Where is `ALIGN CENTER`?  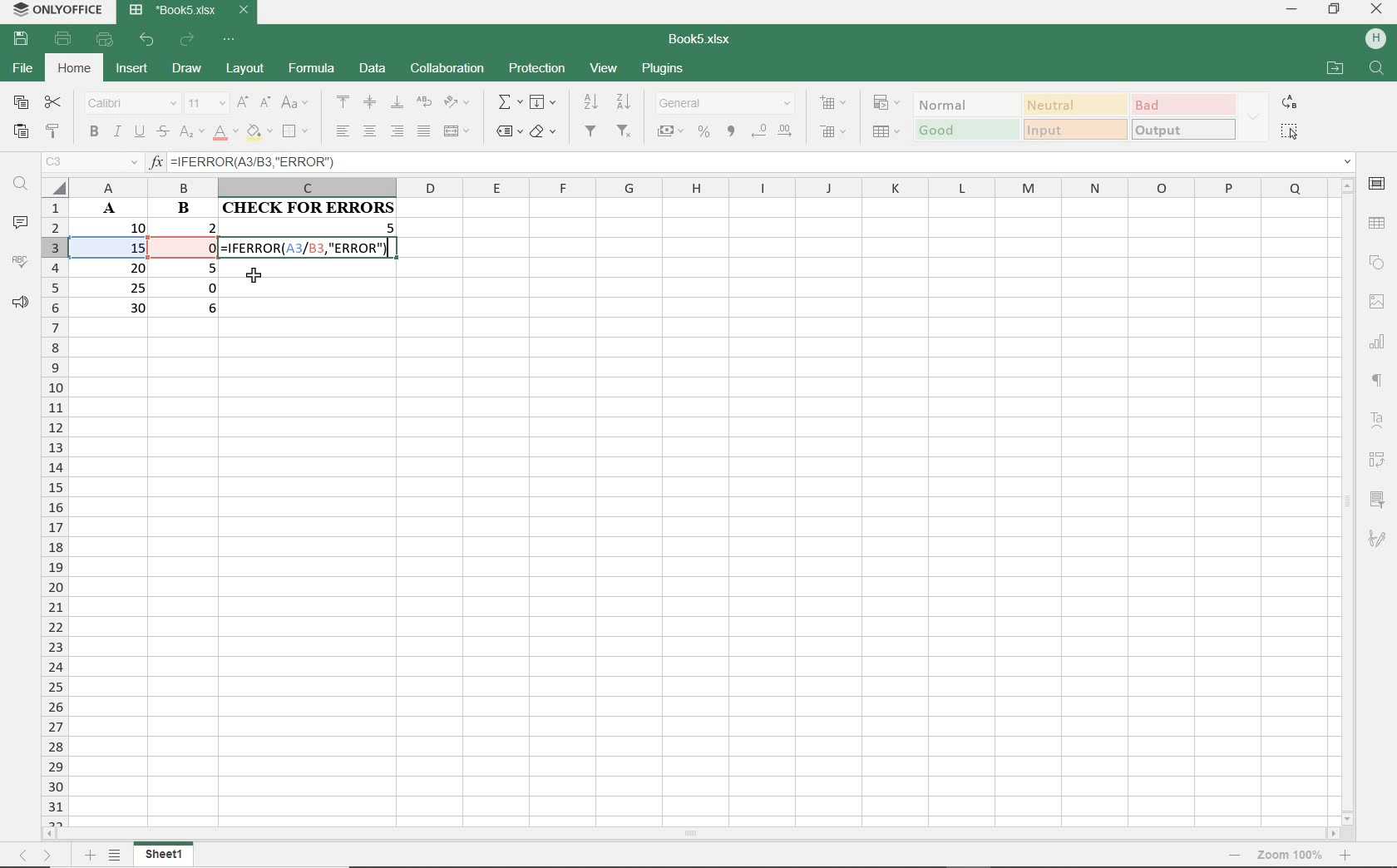
ALIGN CENTER is located at coordinates (370, 131).